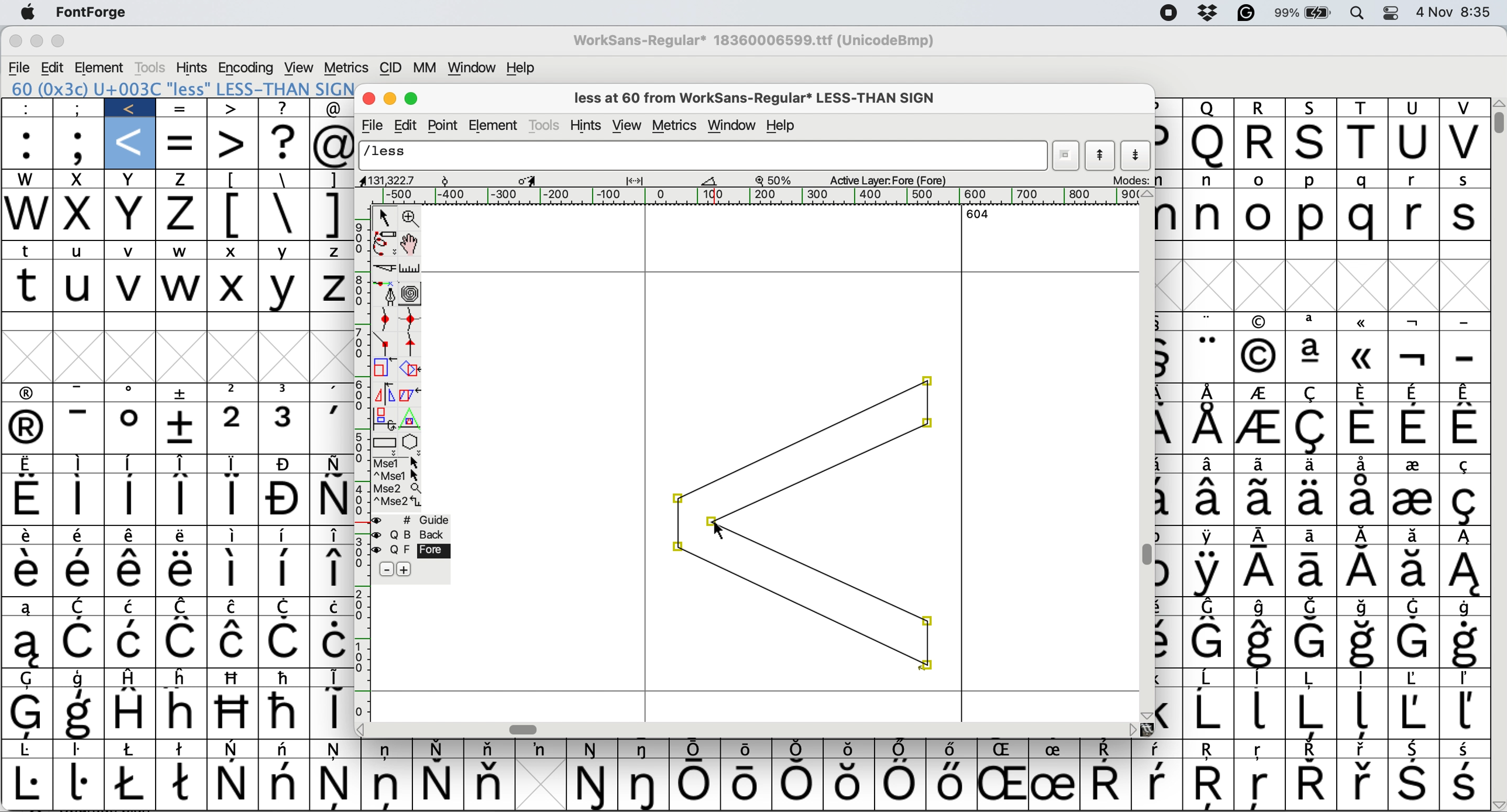 This screenshot has width=1507, height=812. Describe the element at coordinates (1259, 713) in the screenshot. I see `Symbol` at that location.